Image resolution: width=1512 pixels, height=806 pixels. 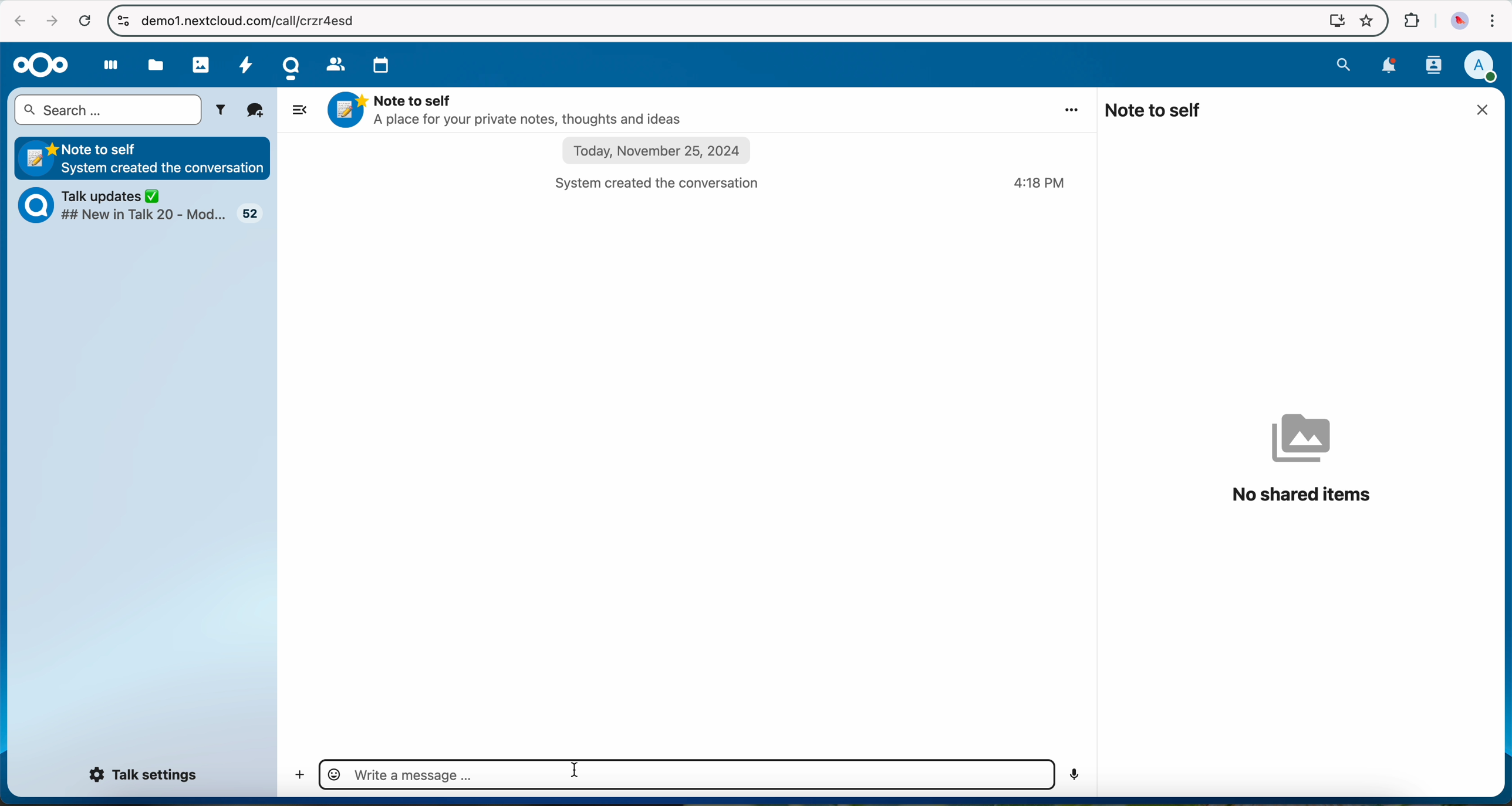 What do you see at coordinates (577, 770) in the screenshot?
I see `cursor` at bounding box center [577, 770].